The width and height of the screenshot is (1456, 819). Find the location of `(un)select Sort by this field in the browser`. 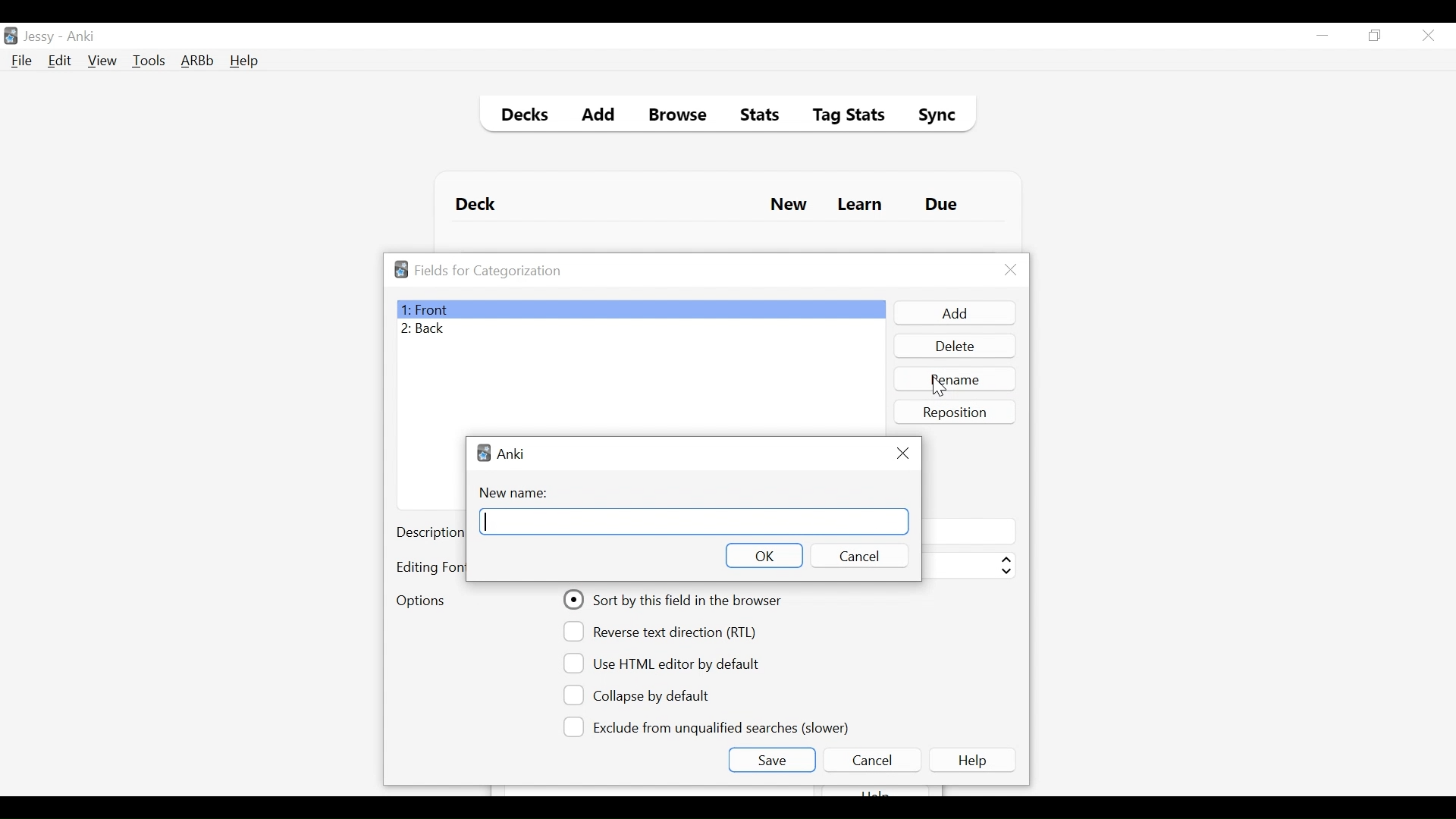

(un)select Sort by this field in the browser is located at coordinates (675, 600).